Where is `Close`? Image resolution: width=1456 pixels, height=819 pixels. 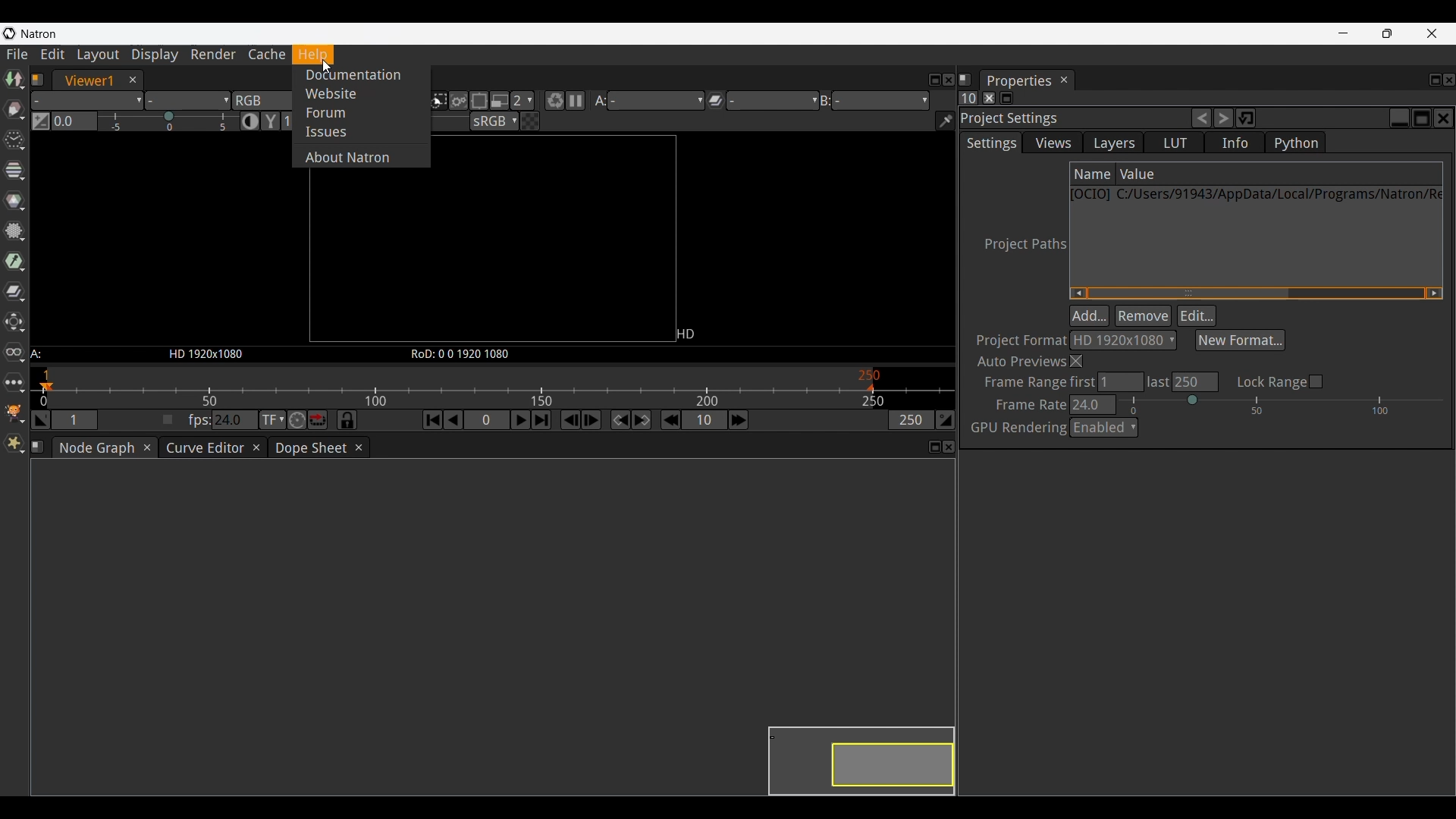 Close is located at coordinates (132, 80).